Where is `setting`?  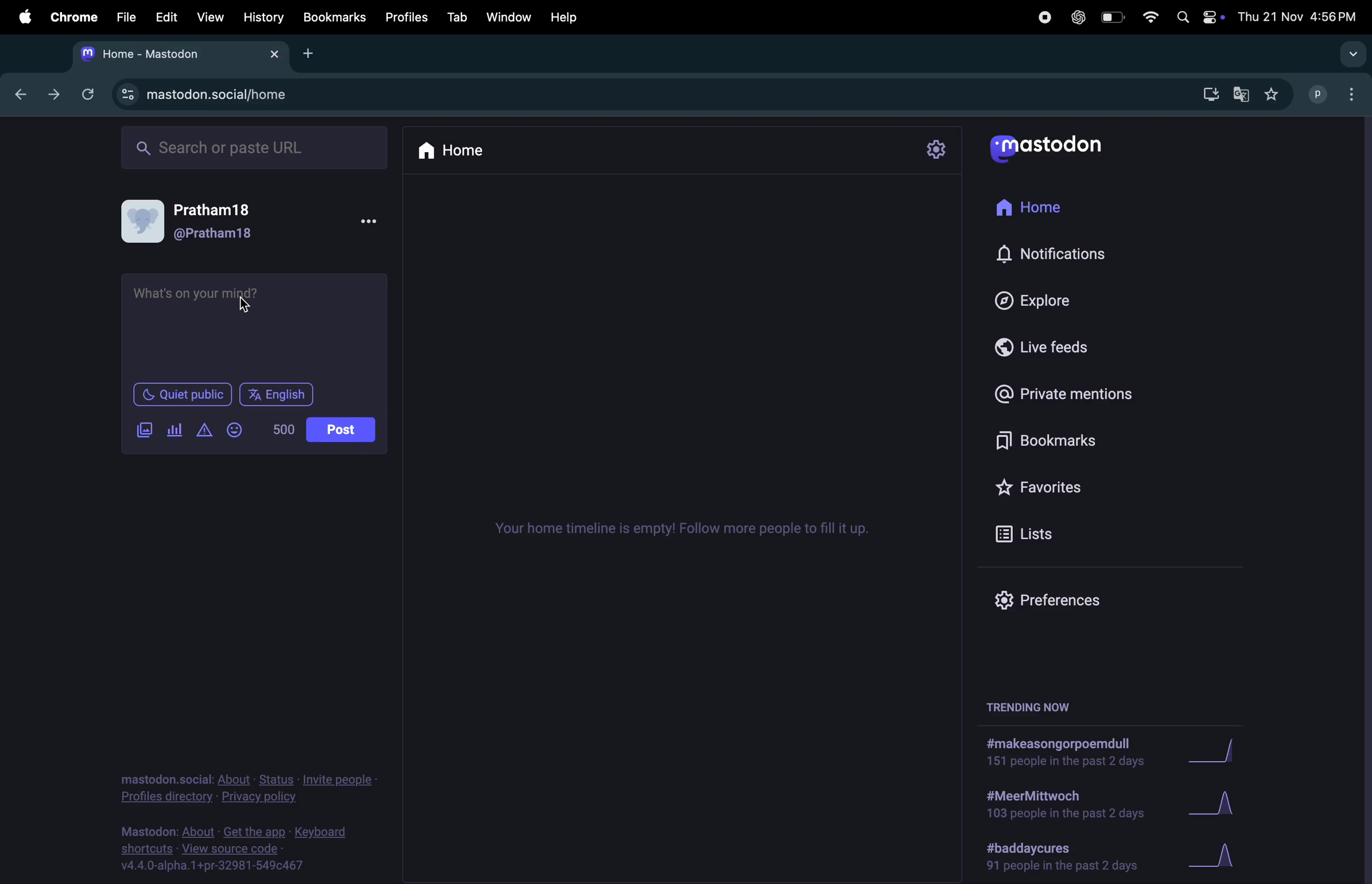 setting is located at coordinates (934, 151).